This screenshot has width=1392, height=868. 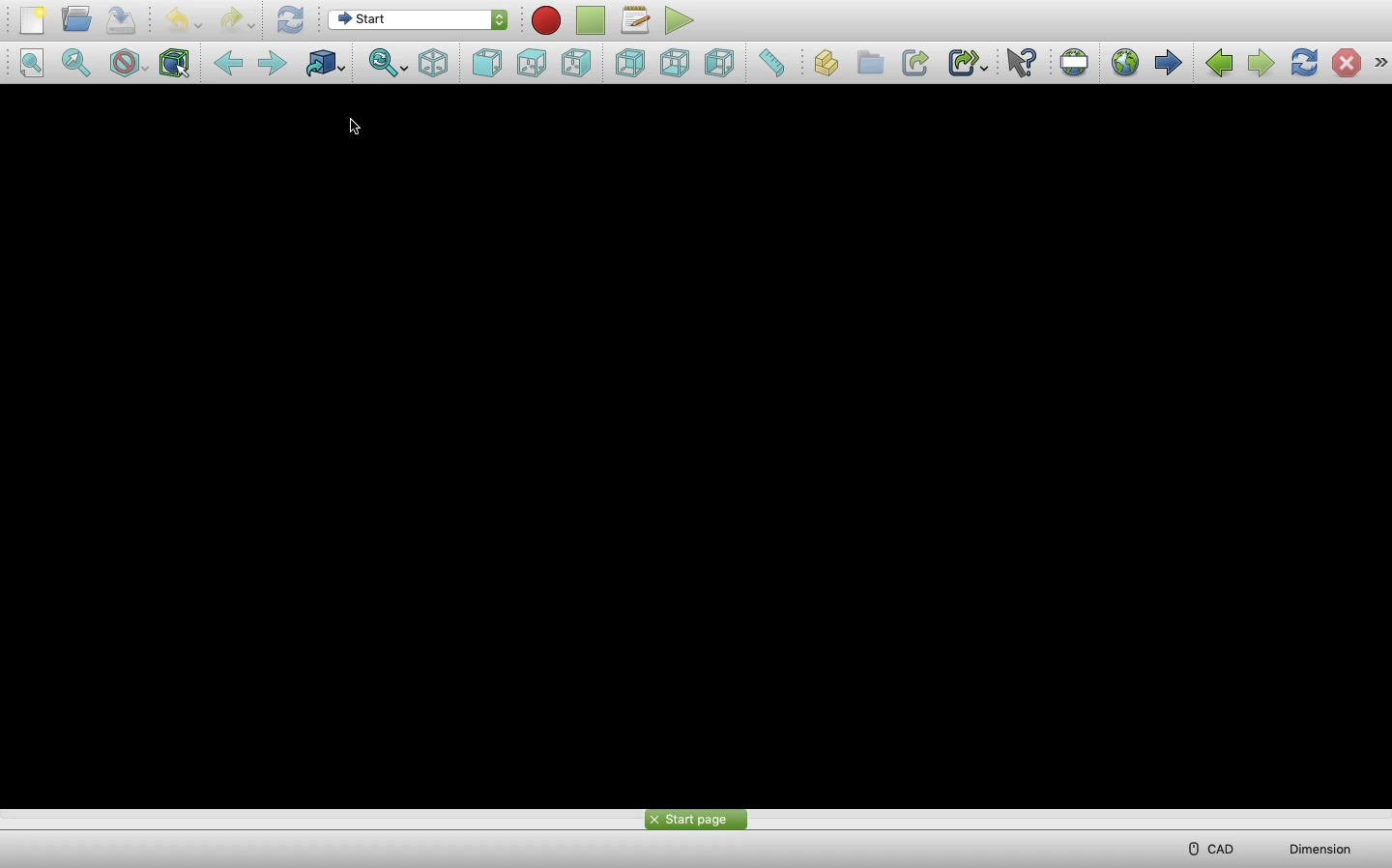 What do you see at coordinates (1380, 61) in the screenshot?
I see `Show all` at bounding box center [1380, 61].